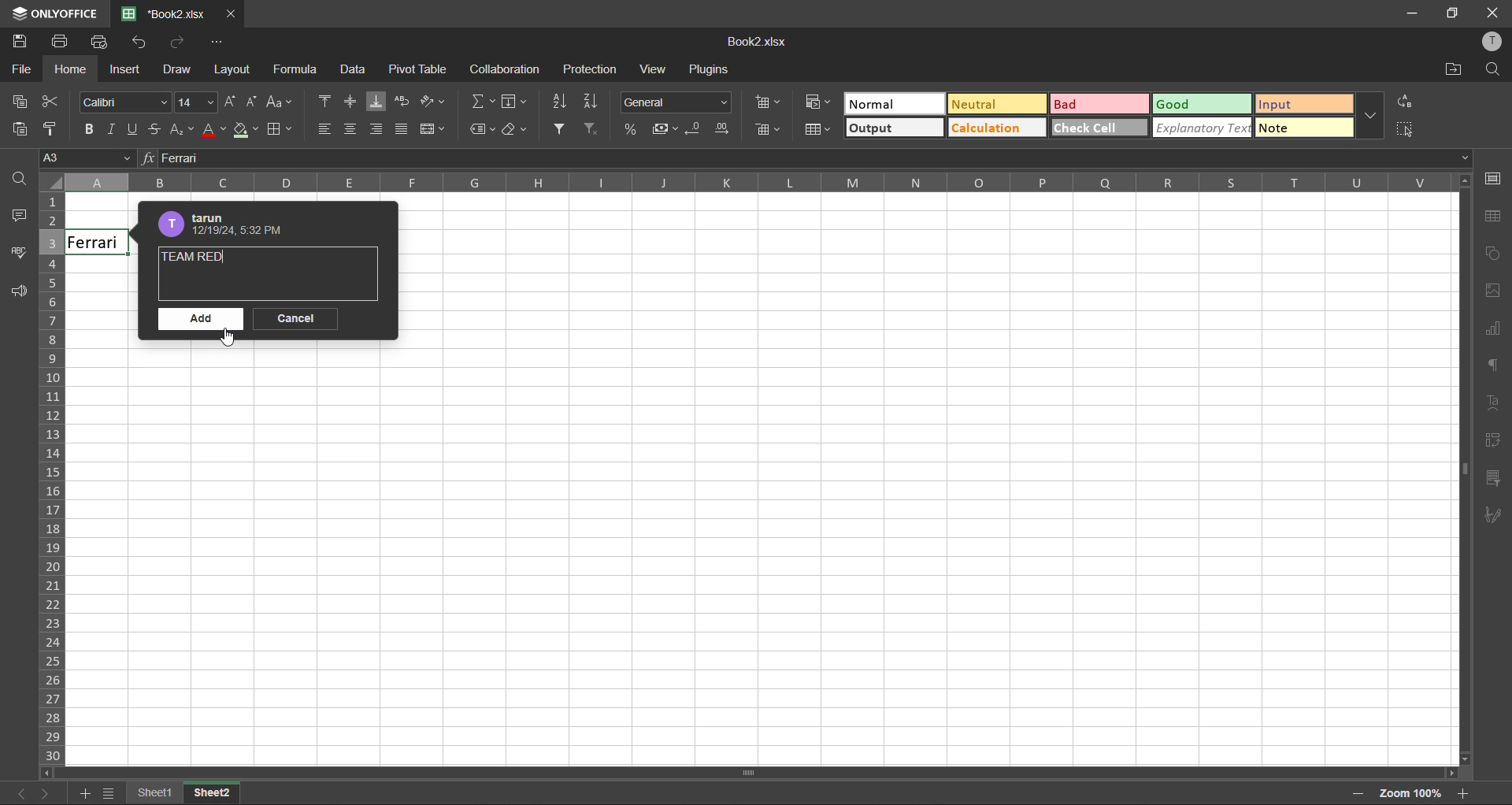  I want to click on home, so click(73, 69).